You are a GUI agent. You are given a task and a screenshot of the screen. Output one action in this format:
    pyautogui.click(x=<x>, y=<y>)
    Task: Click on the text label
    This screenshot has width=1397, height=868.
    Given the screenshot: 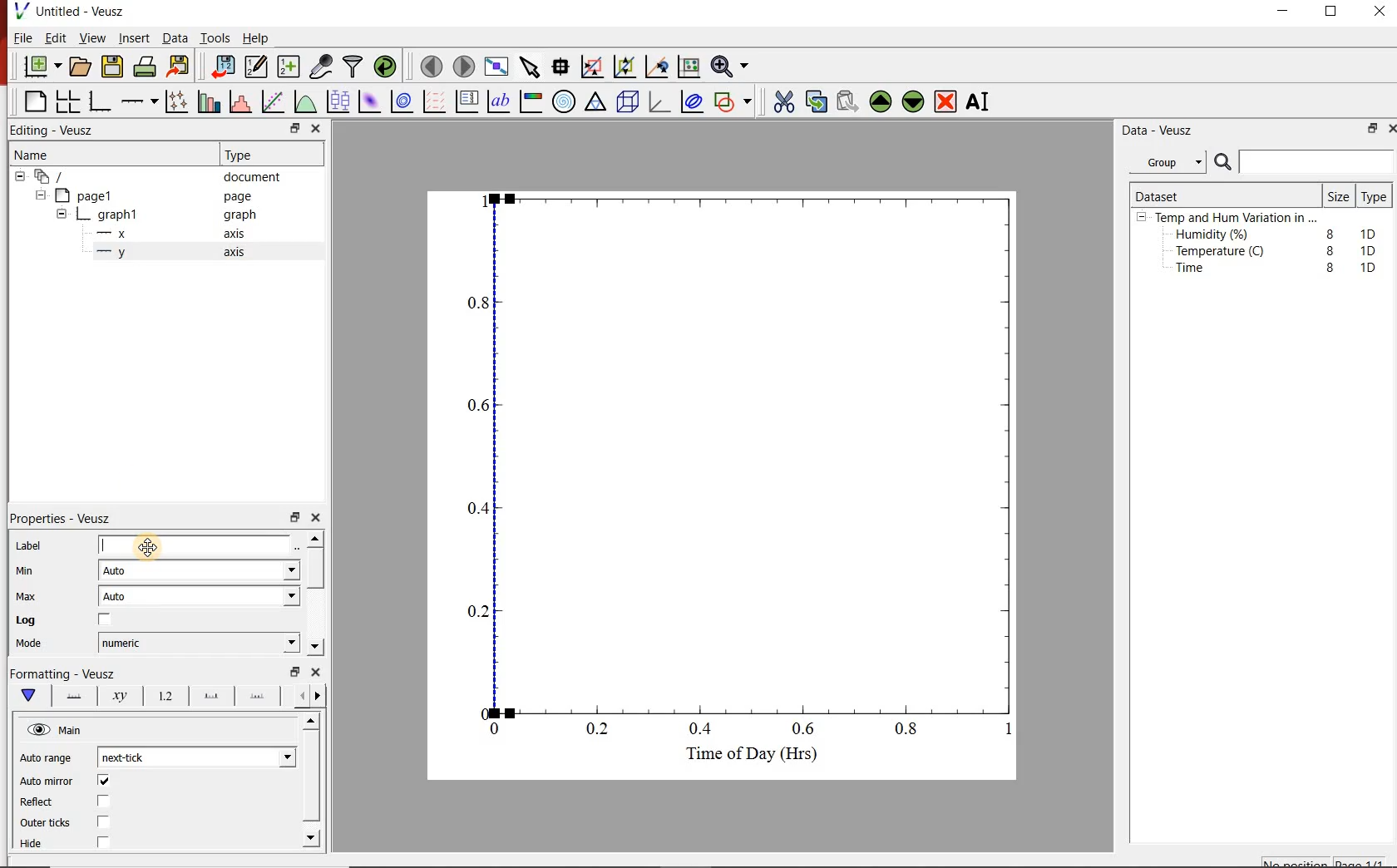 What is the action you would take?
    pyautogui.click(x=502, y=101)
    